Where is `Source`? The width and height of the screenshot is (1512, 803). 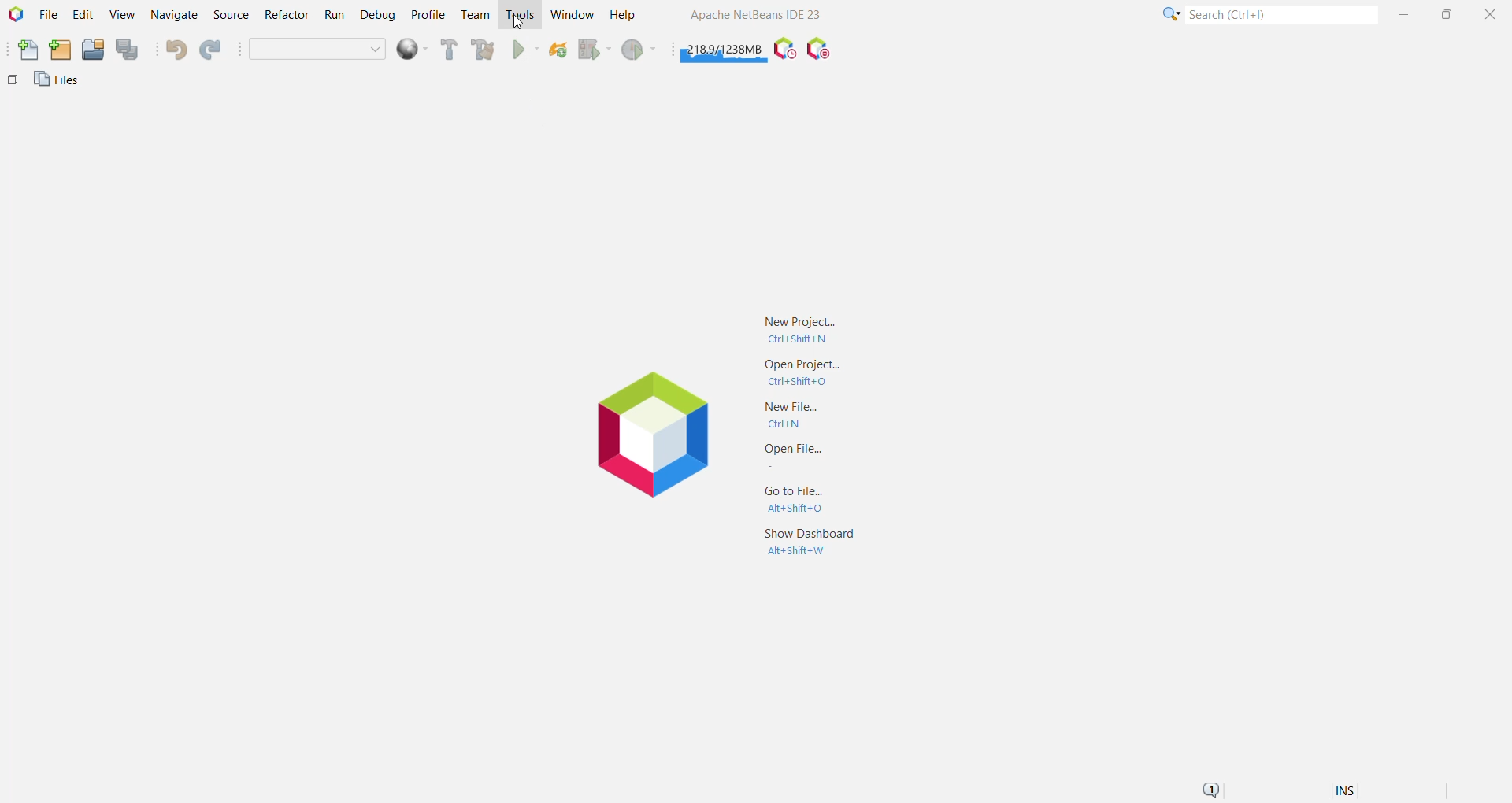 Source is located at coordinates (233, 15).